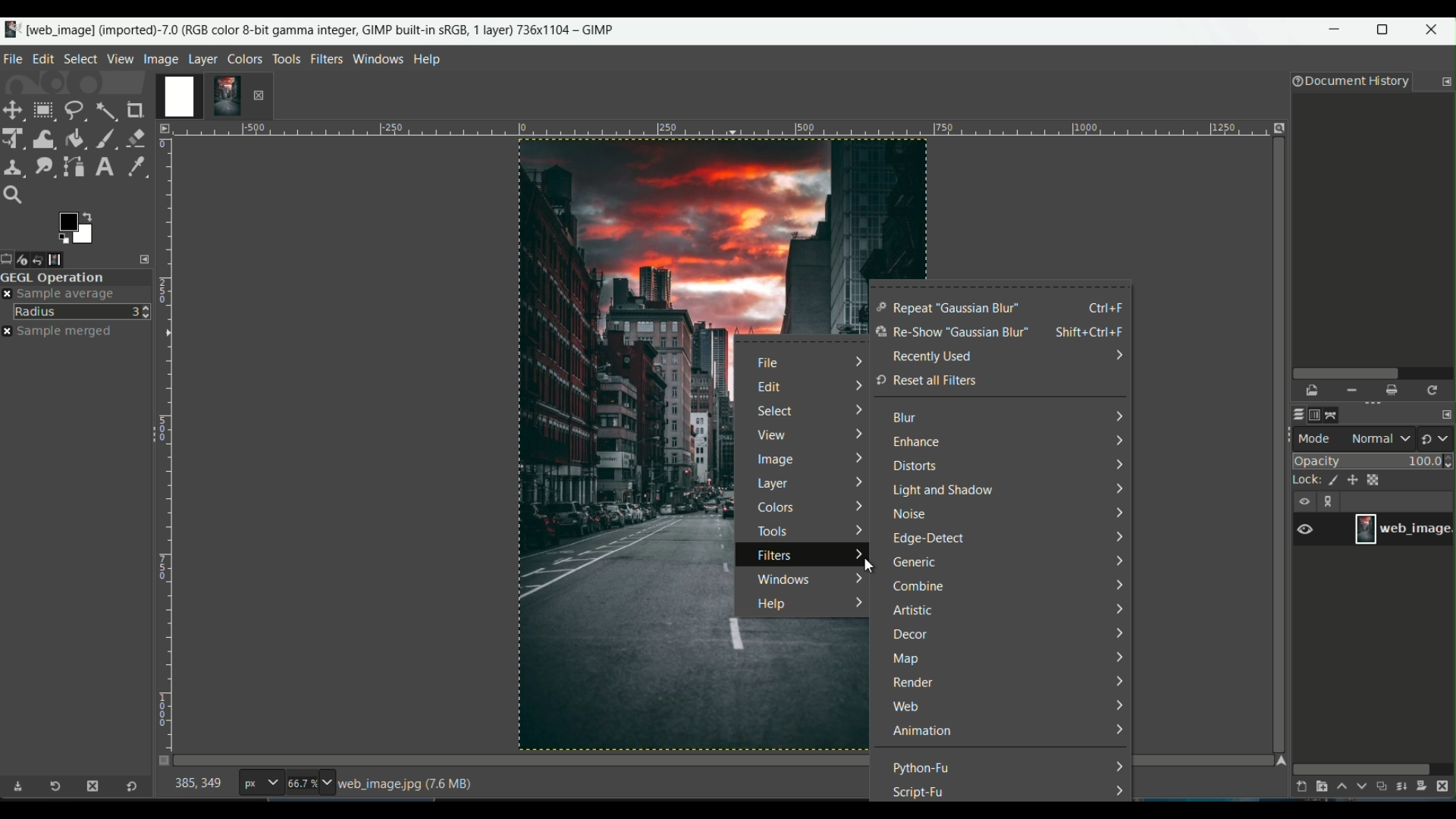 The height and width of the screenshot is (819, 1456). Describe the element at coordinates (1374, 460) in the screenshot. I see `opacity` at that location.